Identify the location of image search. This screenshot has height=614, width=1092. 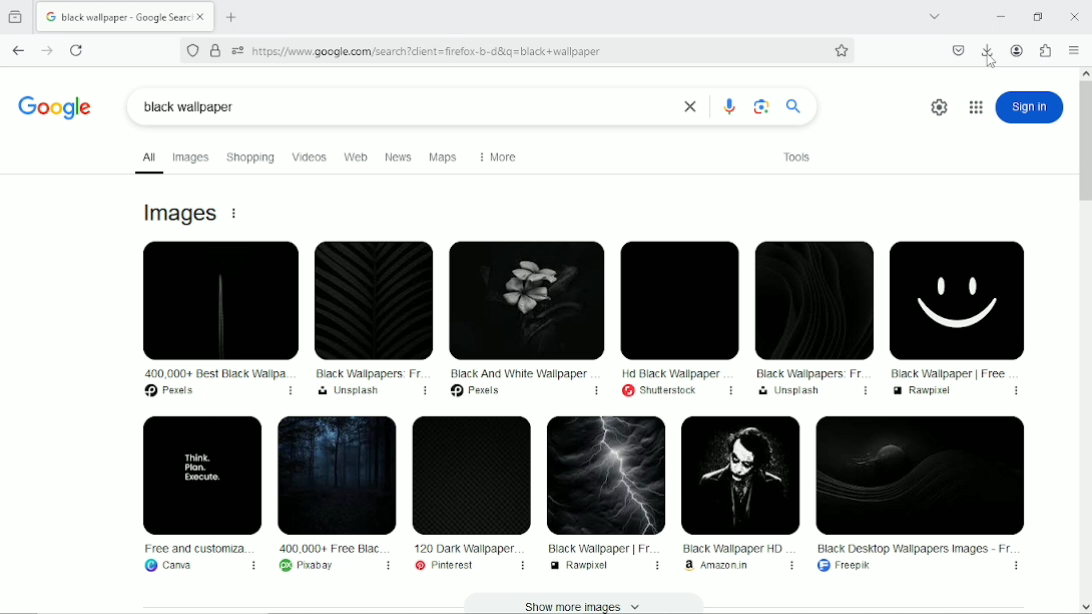
(761, 107).